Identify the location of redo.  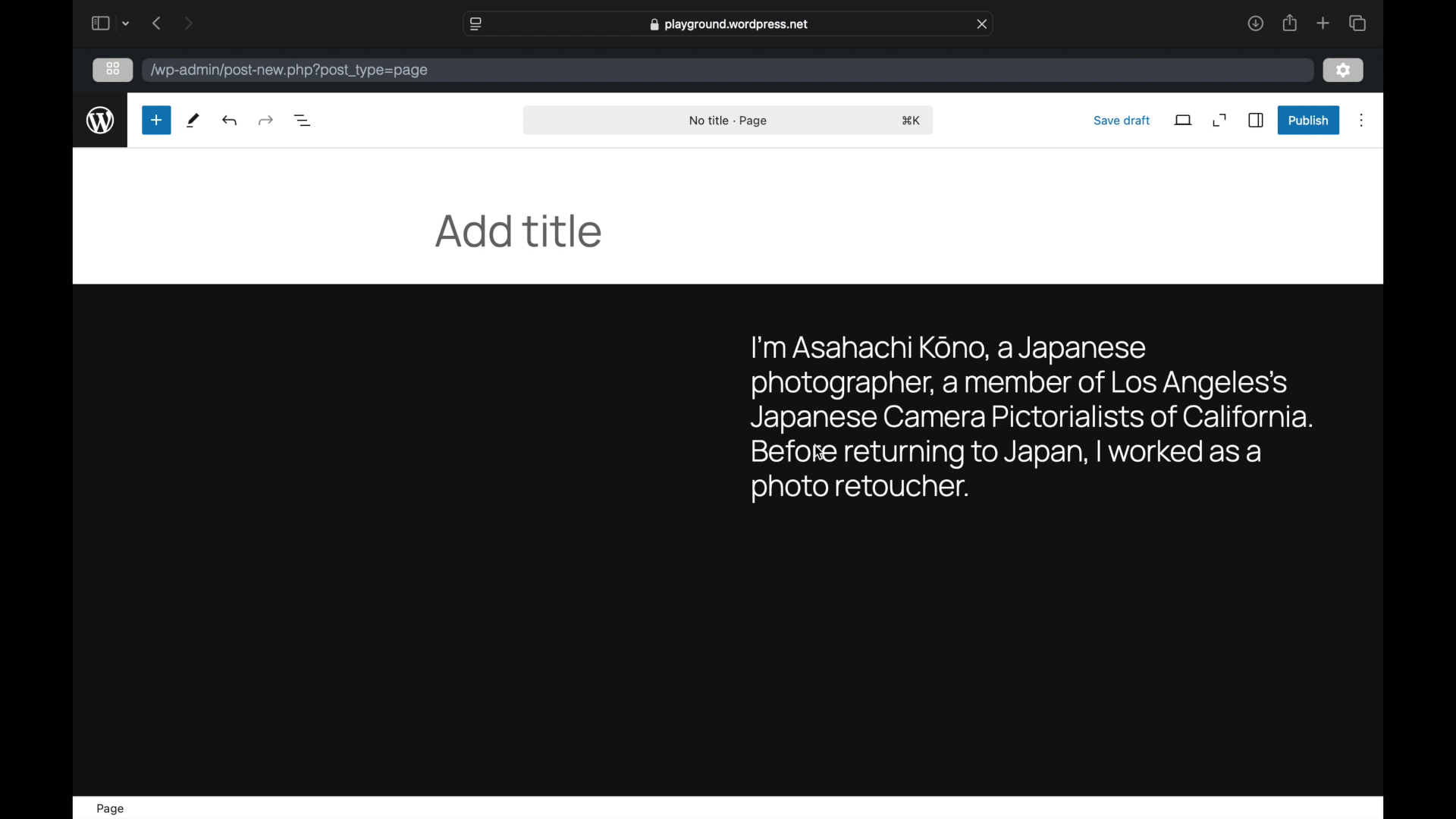
(231, 120).